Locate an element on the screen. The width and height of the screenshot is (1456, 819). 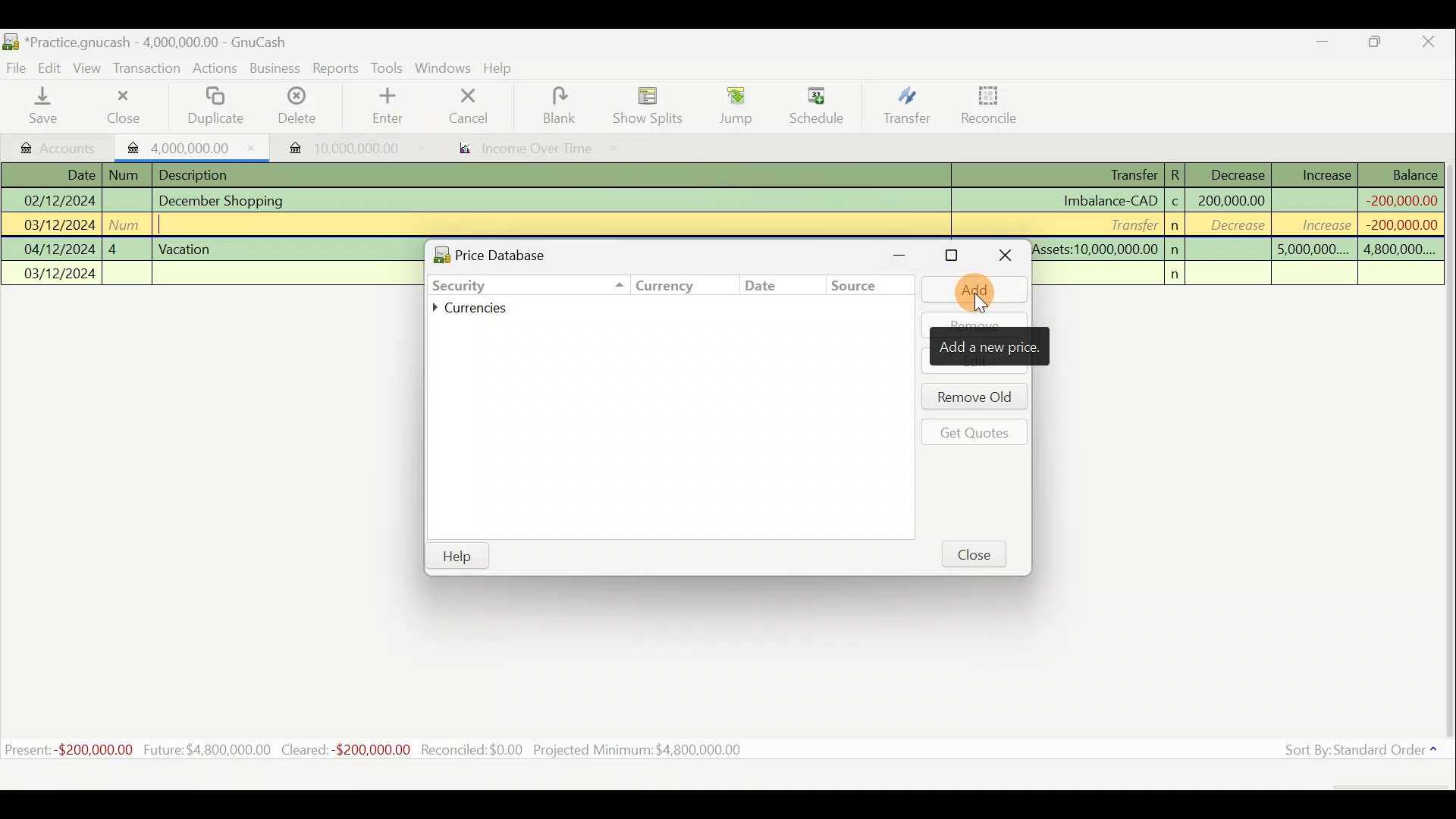
Transaction is located at coordinates (151, 70).